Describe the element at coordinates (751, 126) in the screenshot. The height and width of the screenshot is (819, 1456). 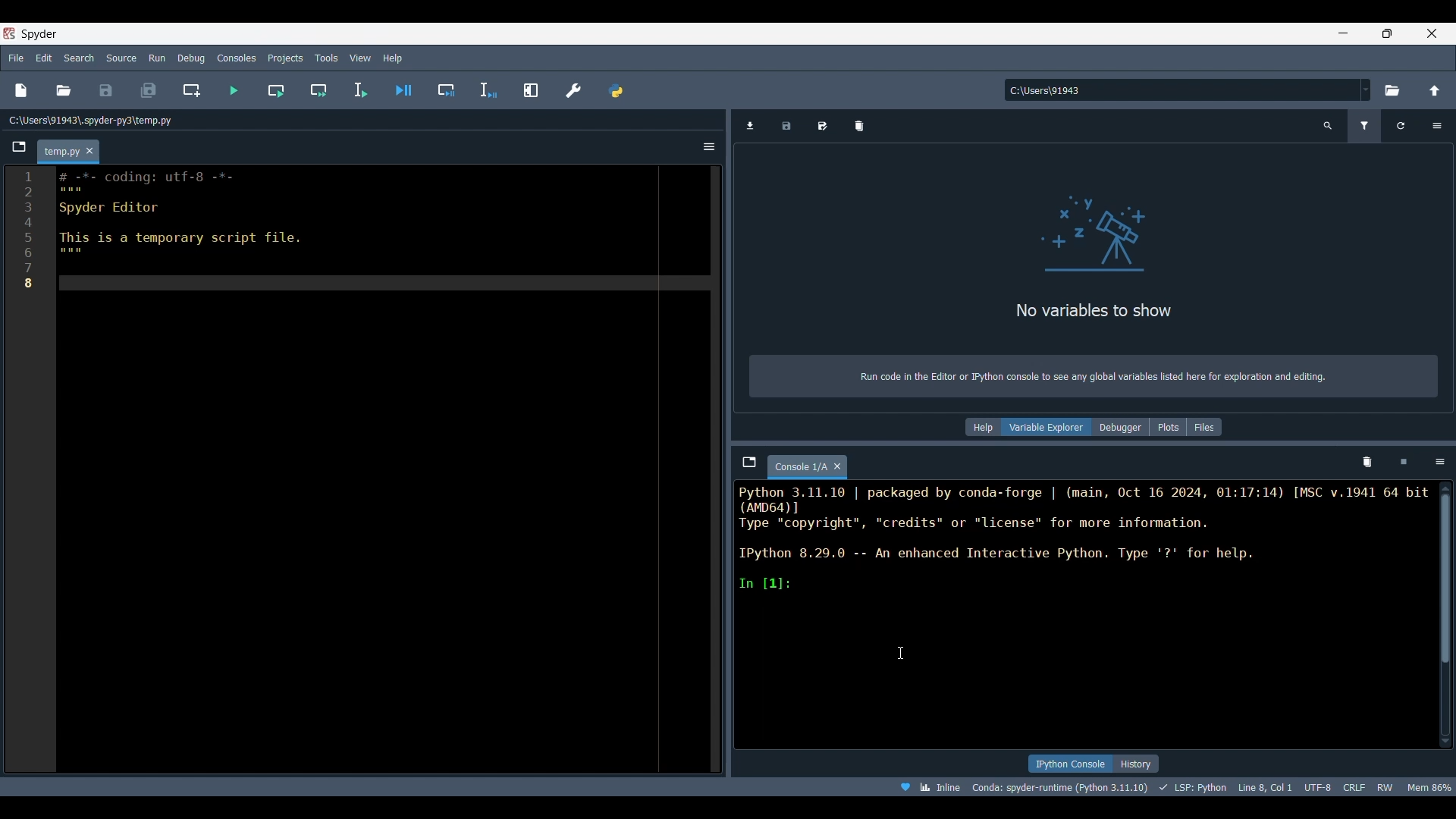
I see `Import data` at that location.